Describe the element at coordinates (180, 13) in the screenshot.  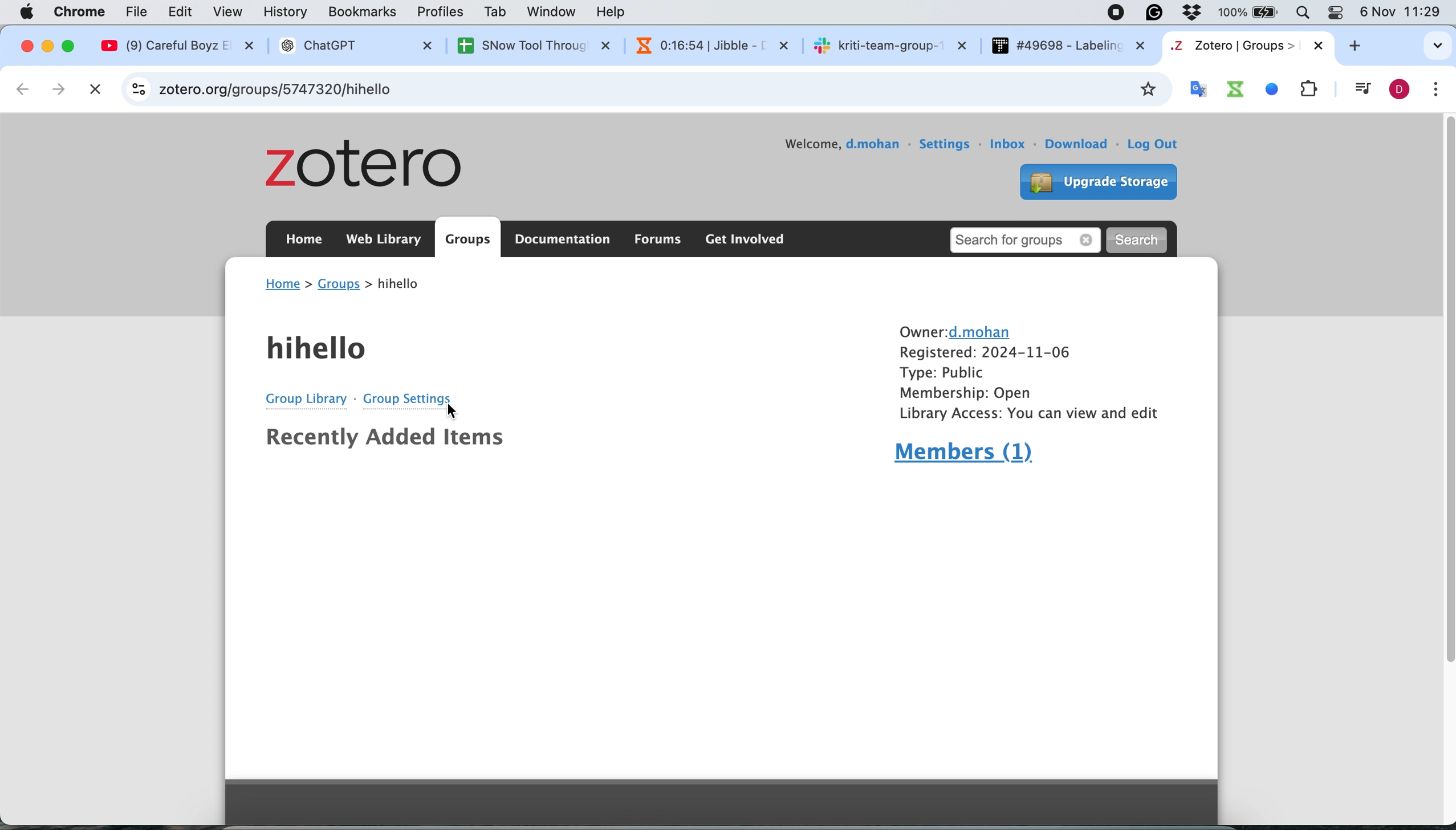
I see `edit` at that location.